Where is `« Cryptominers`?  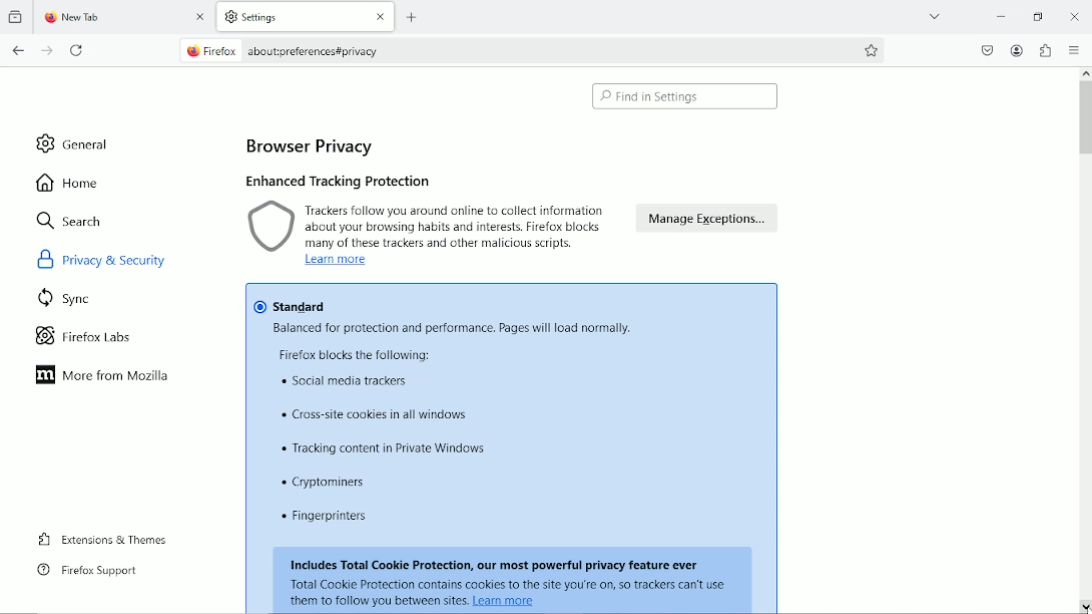 « Cryptominers is located at coordinates (327, 483).